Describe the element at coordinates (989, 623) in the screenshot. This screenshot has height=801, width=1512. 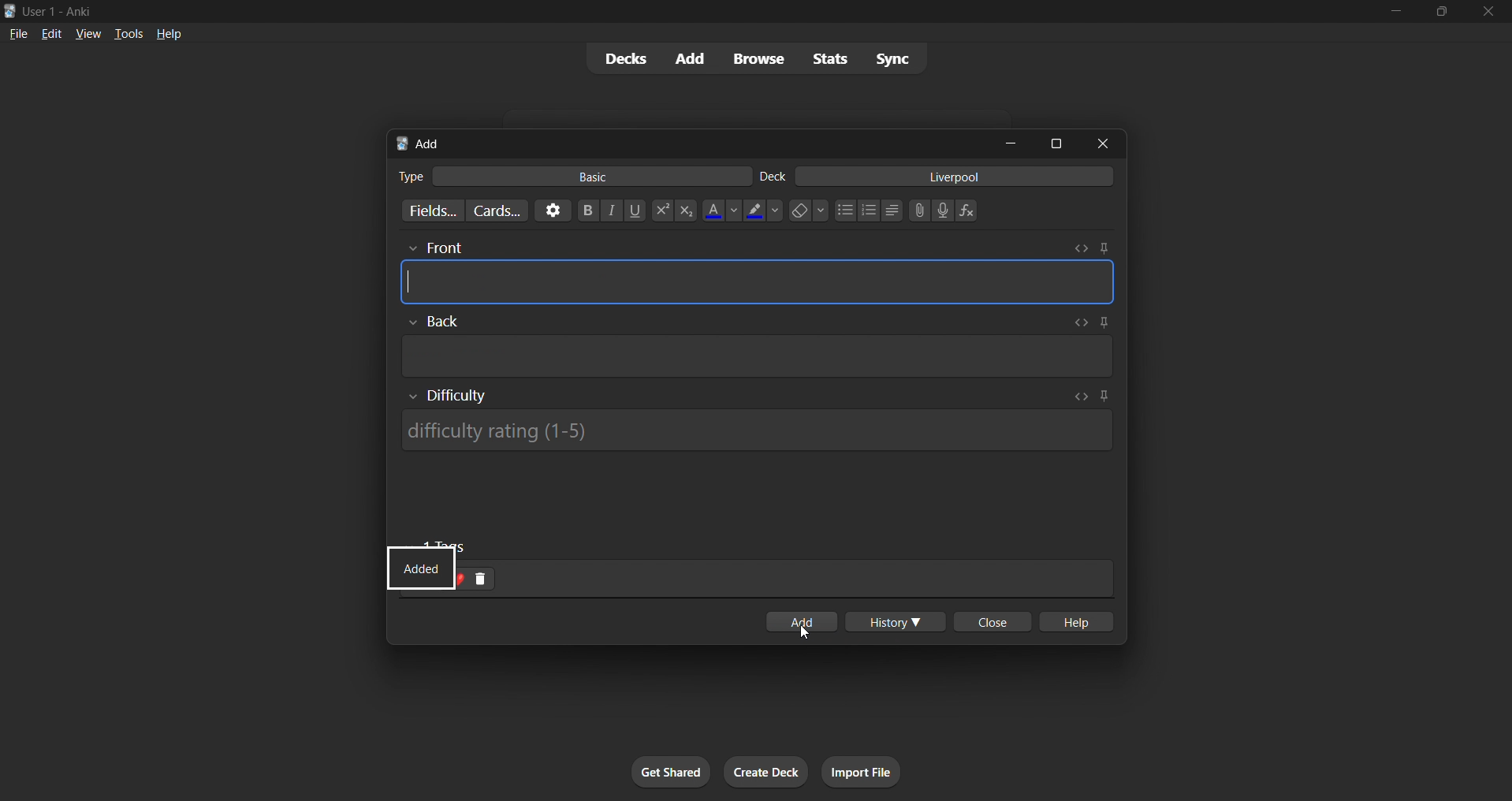
I see `close` at that location.